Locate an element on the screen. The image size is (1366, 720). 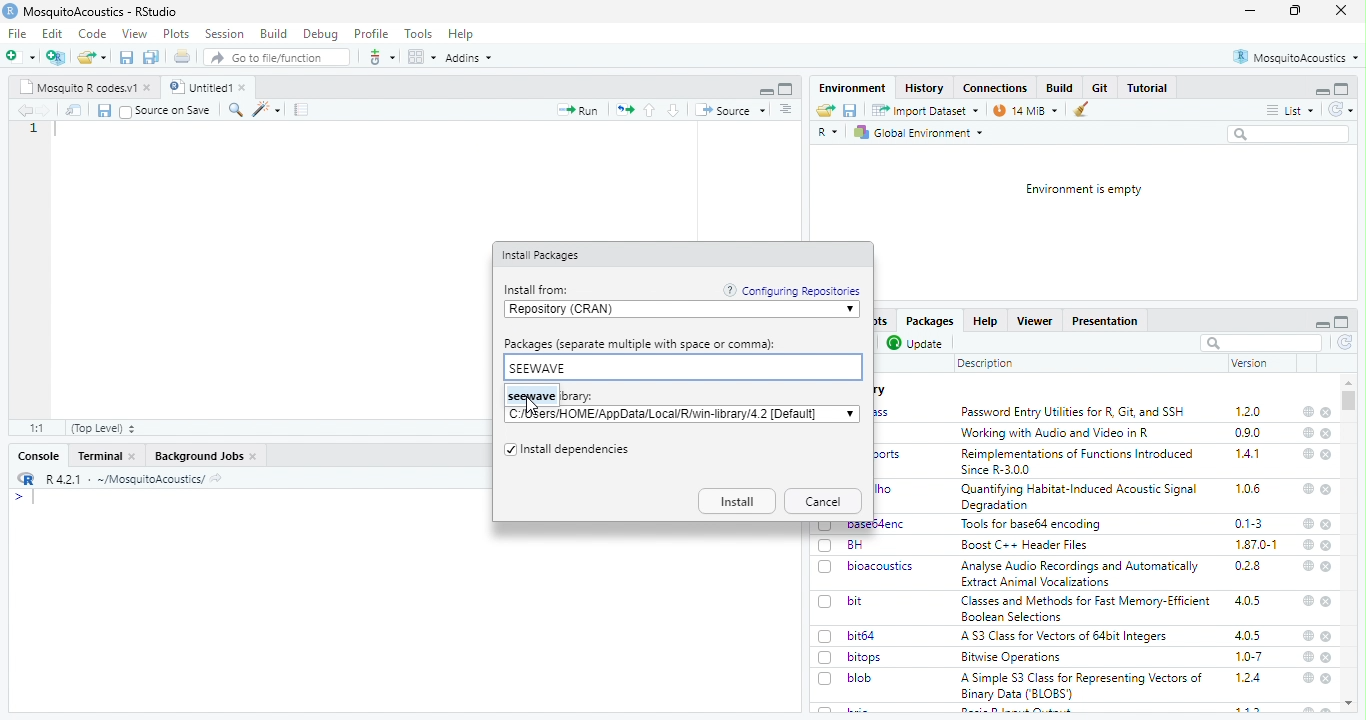
searchbox is located at coordinates (1261, 343).